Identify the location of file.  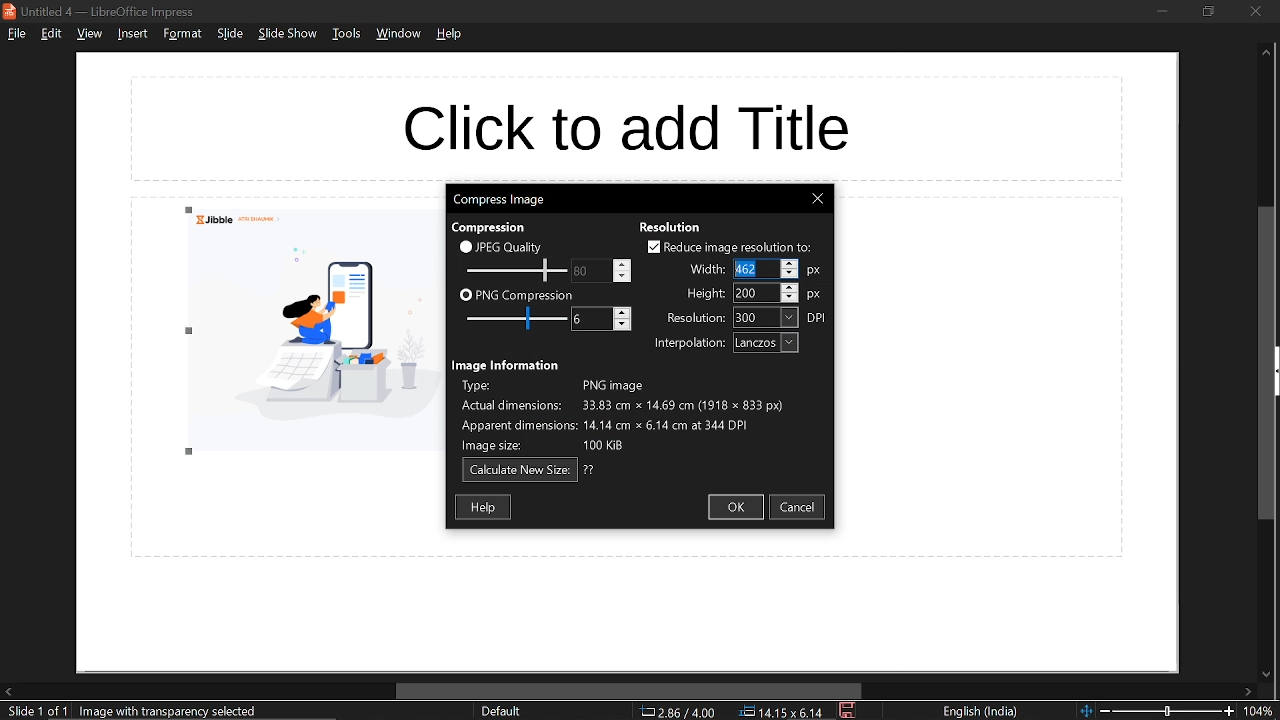
(16, 33).